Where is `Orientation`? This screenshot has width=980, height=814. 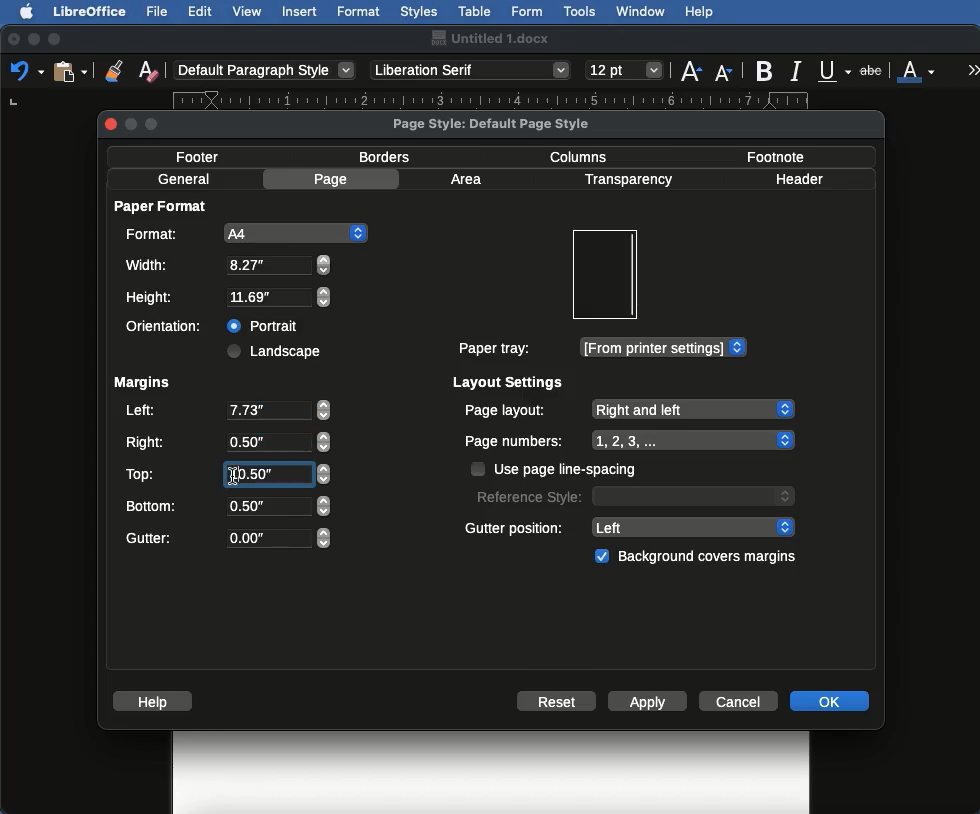 Orientation is located at coordinates (168, 326).